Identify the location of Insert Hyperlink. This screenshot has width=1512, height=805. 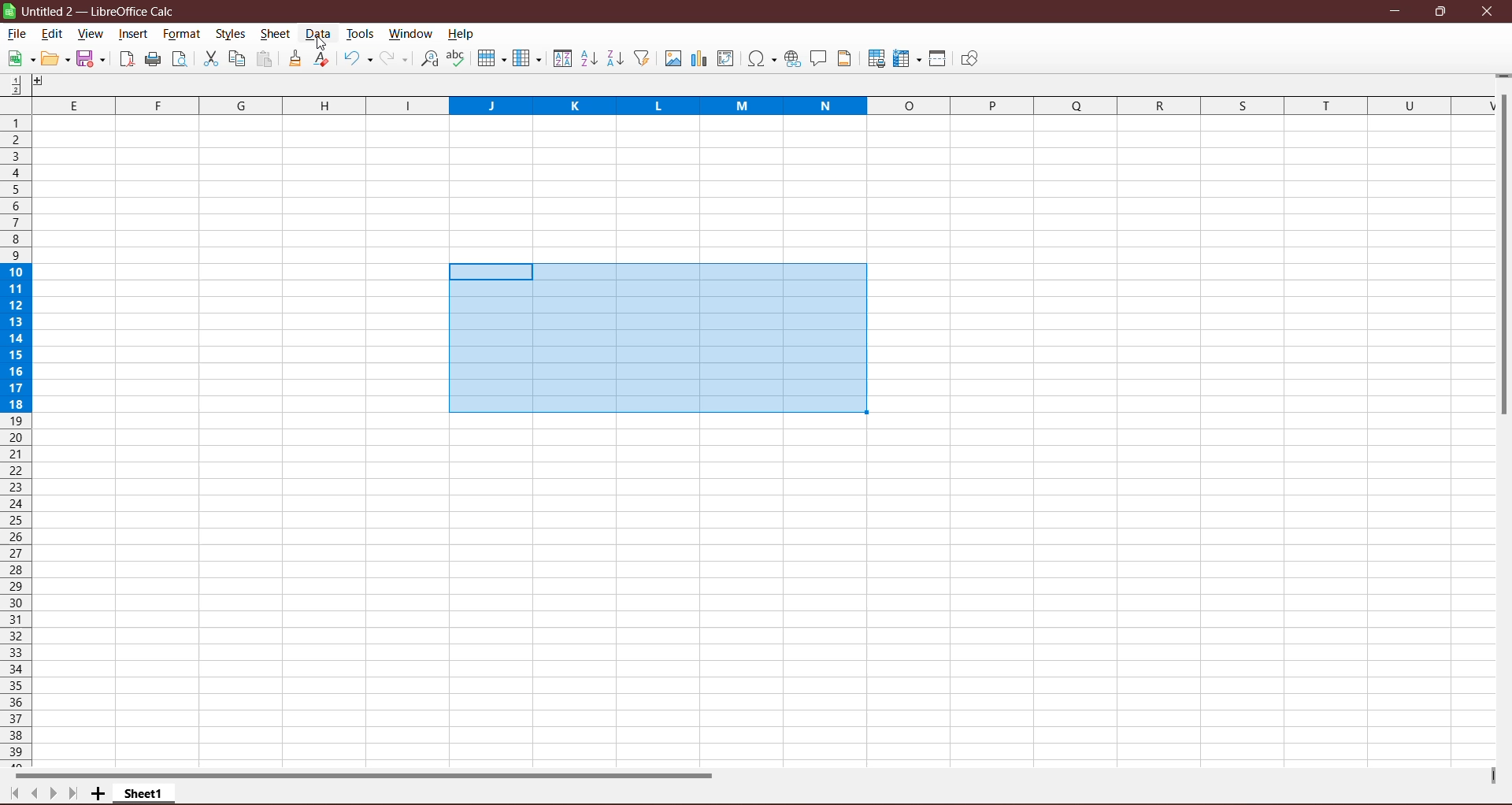
(792, 59).